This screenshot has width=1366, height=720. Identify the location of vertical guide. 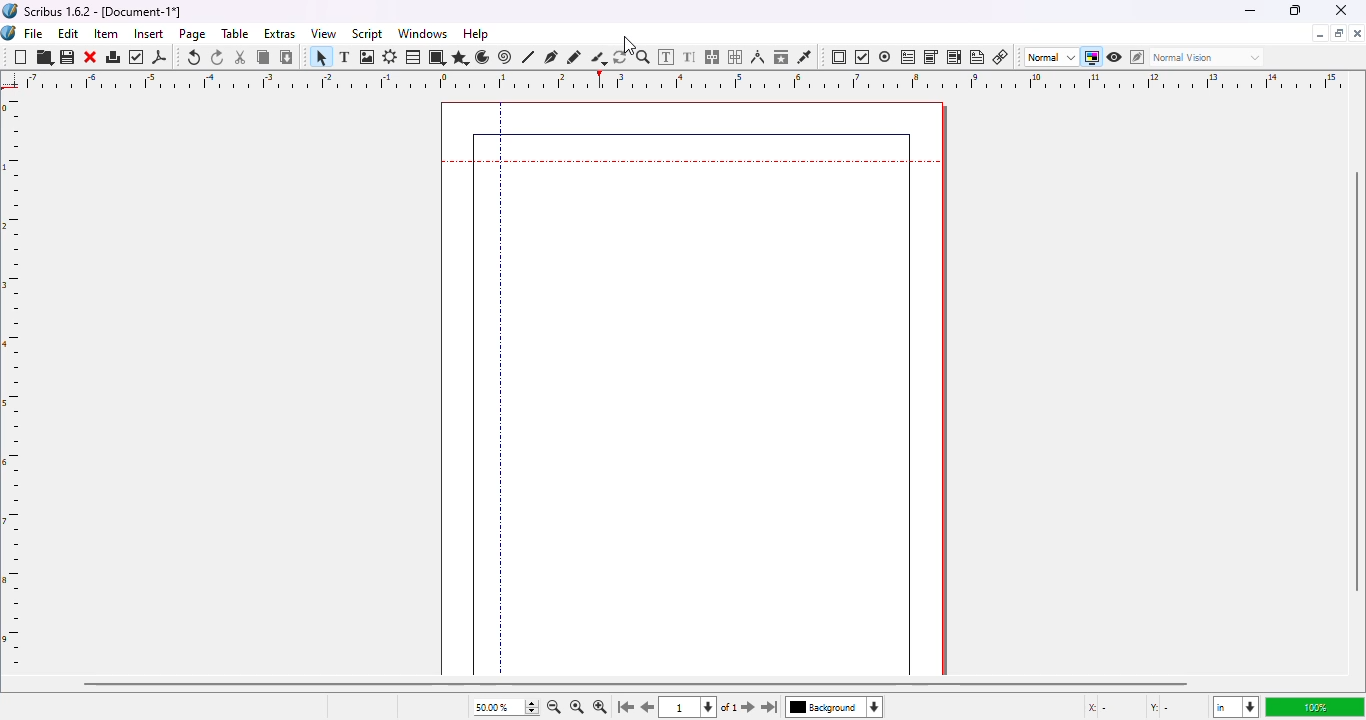
(502, 126).